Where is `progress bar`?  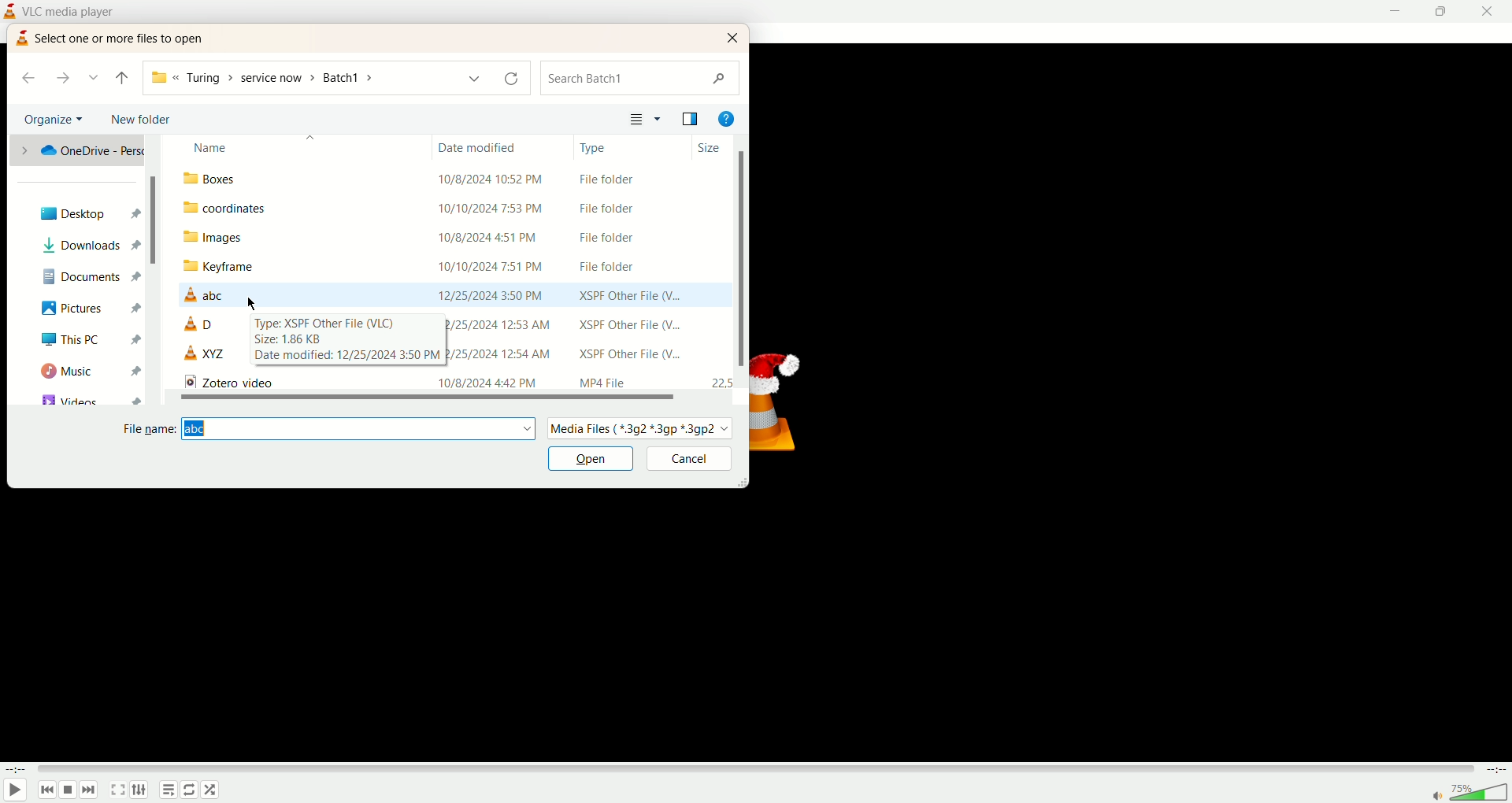 progress bar is located at coordinates (754, 769).